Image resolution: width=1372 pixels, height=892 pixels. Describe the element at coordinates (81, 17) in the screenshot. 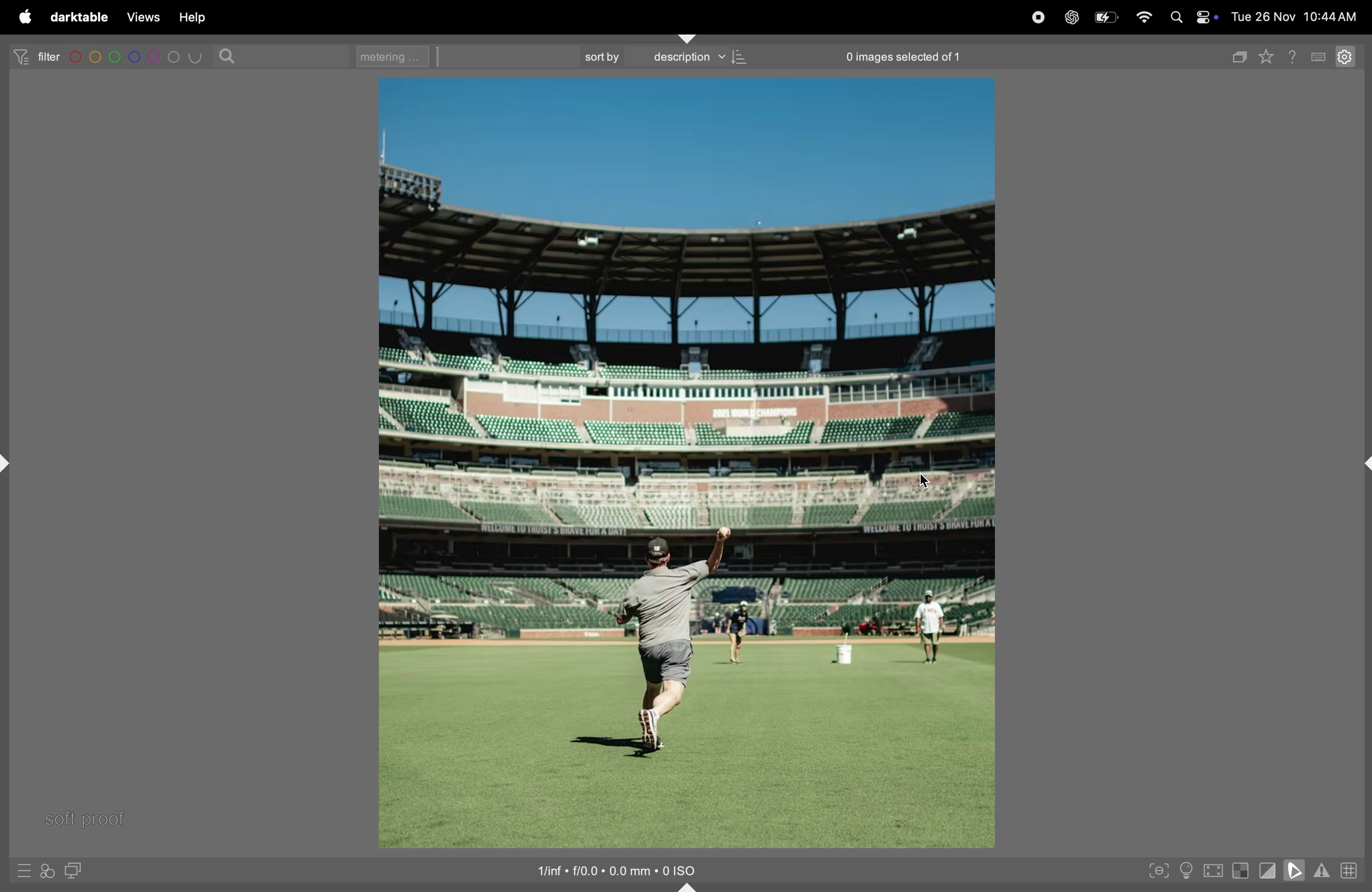

I see `darrktable` at that location.